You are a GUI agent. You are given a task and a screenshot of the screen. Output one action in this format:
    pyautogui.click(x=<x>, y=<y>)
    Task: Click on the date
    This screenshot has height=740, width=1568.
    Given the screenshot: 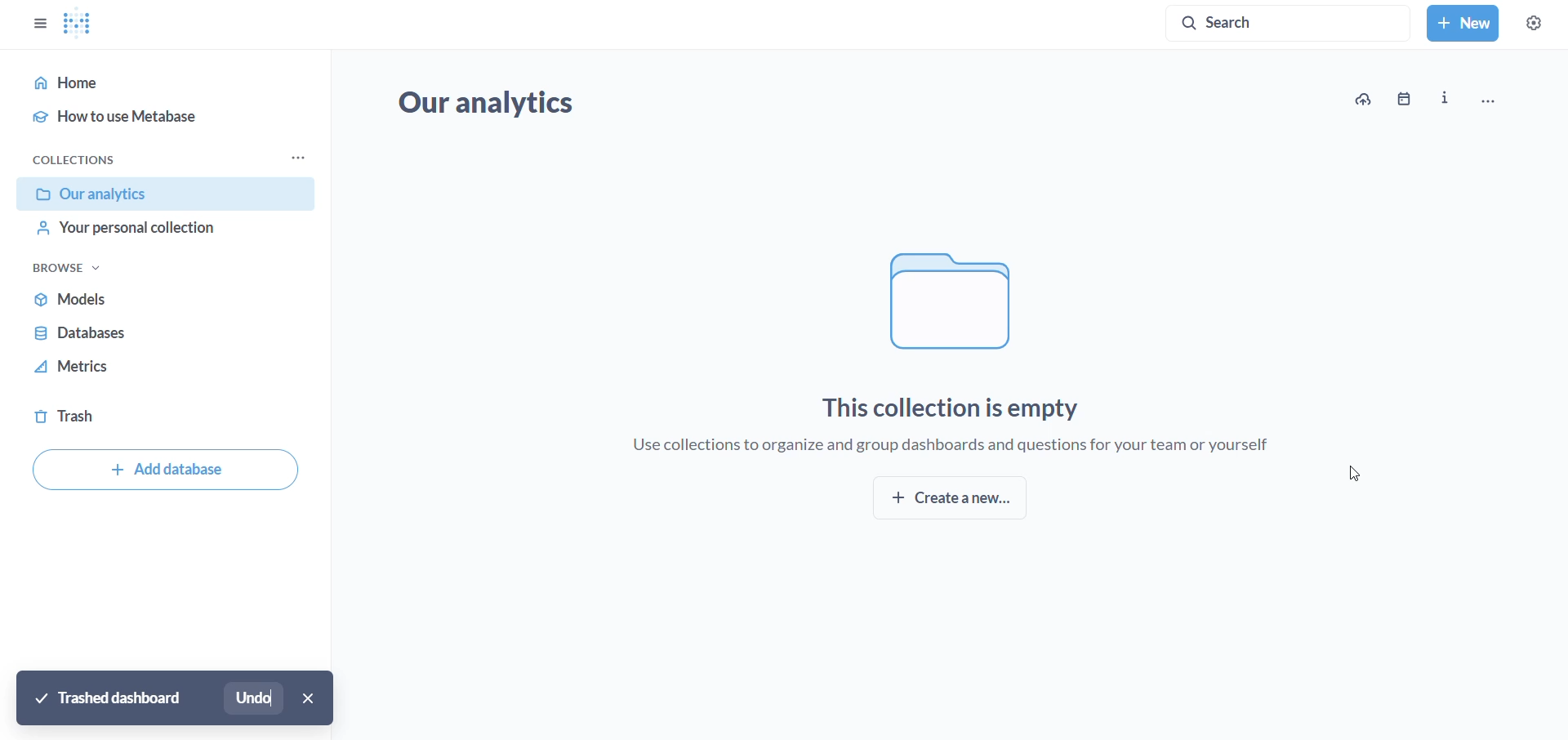 What is the action you would take?
    pyautogui.click(x=1407, y=99)
    